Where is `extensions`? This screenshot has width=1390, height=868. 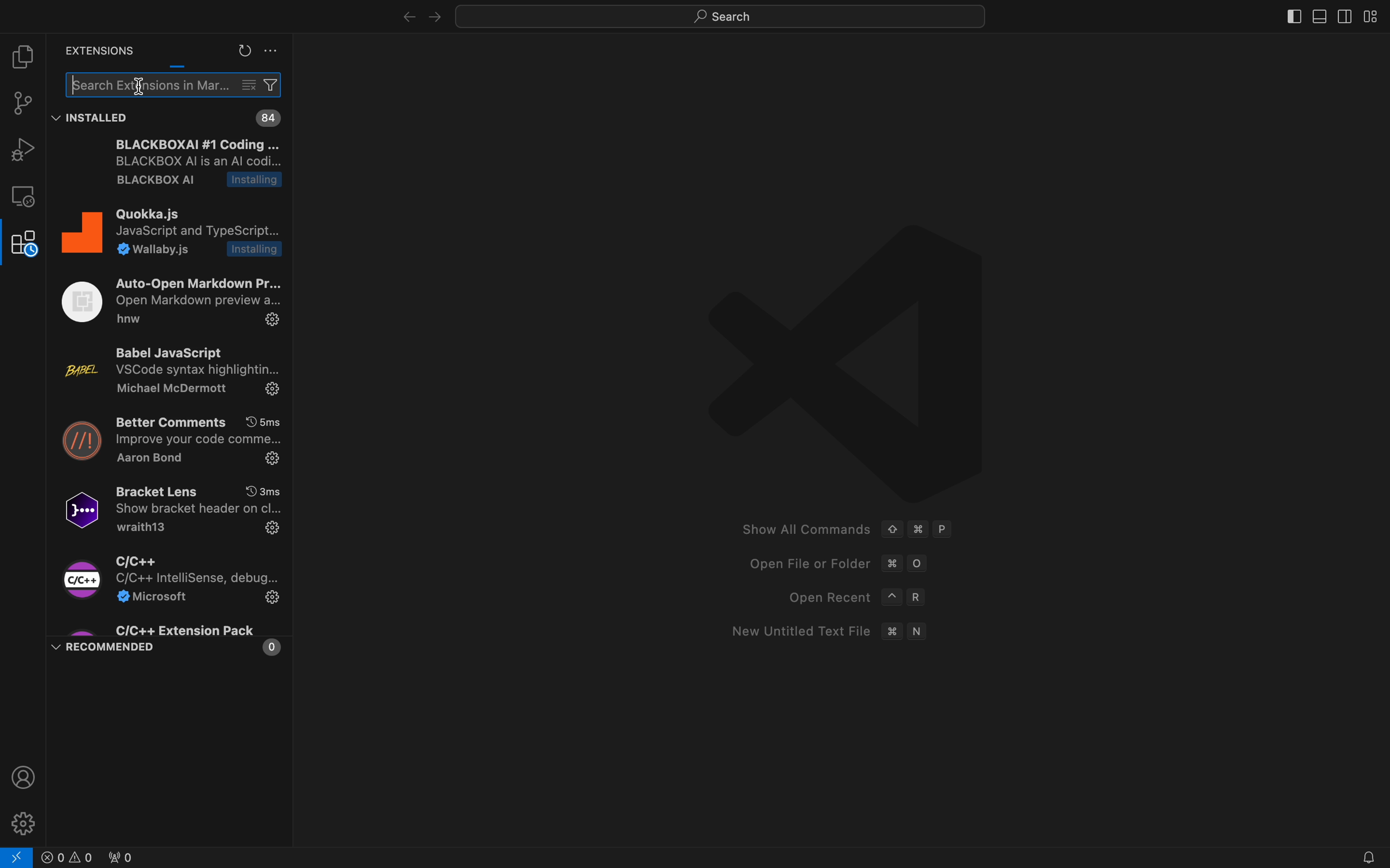 extensions is located at coordinates (95, 50).